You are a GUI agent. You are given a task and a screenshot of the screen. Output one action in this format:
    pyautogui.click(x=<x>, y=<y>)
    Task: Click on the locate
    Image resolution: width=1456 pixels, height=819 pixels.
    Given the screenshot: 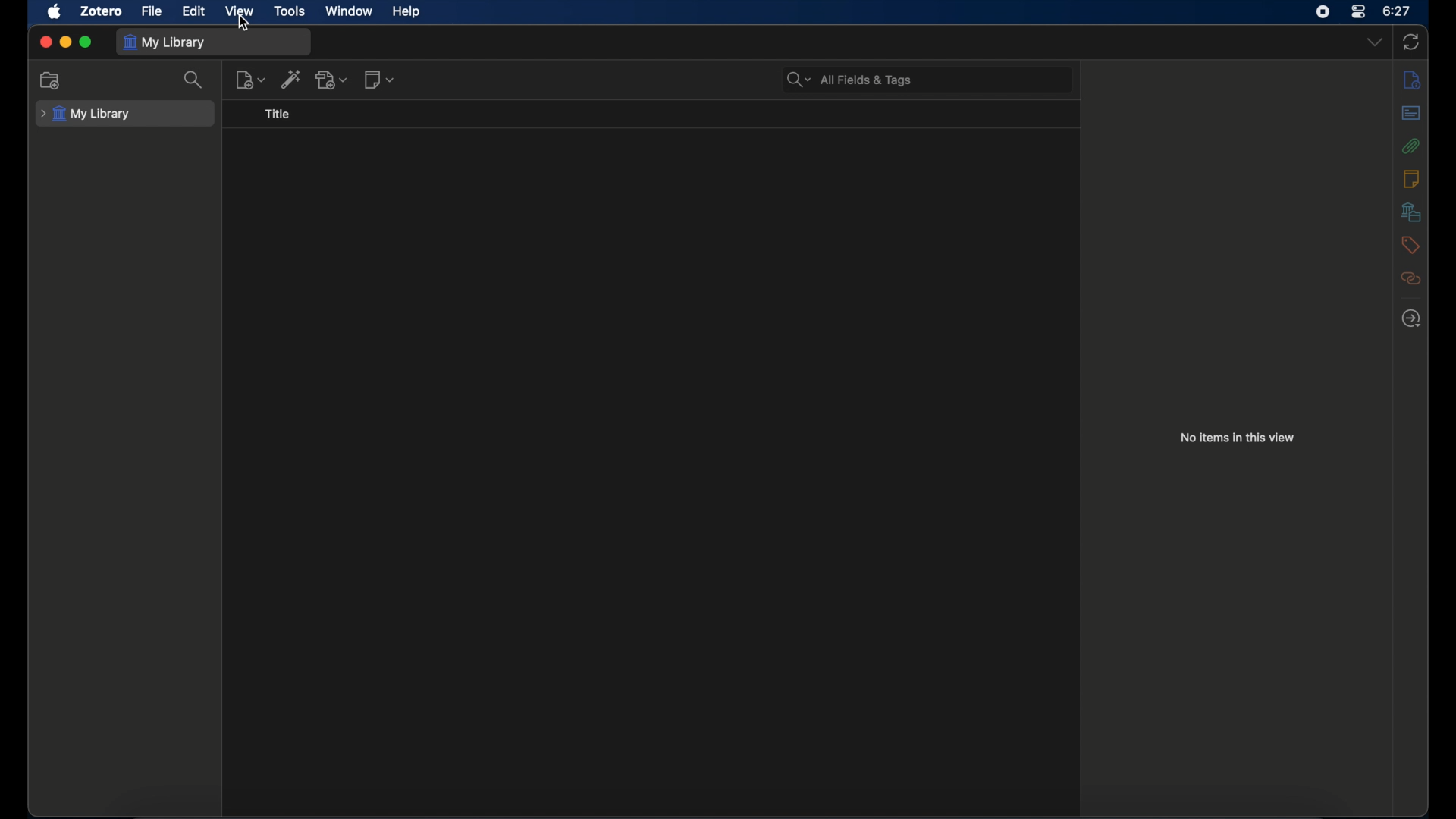 What is the action you would take?
    pyautogui.click(x=1411, y=318)
    